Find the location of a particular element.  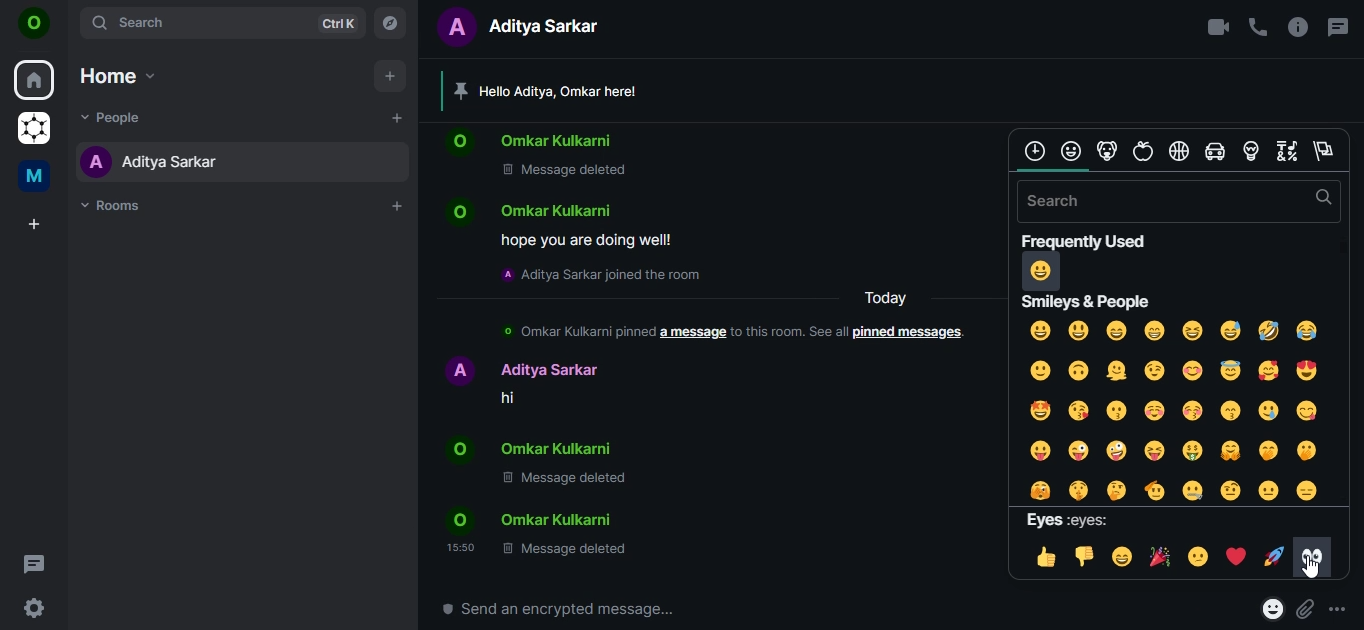

grinning face is located at coordinates (1044, 269).